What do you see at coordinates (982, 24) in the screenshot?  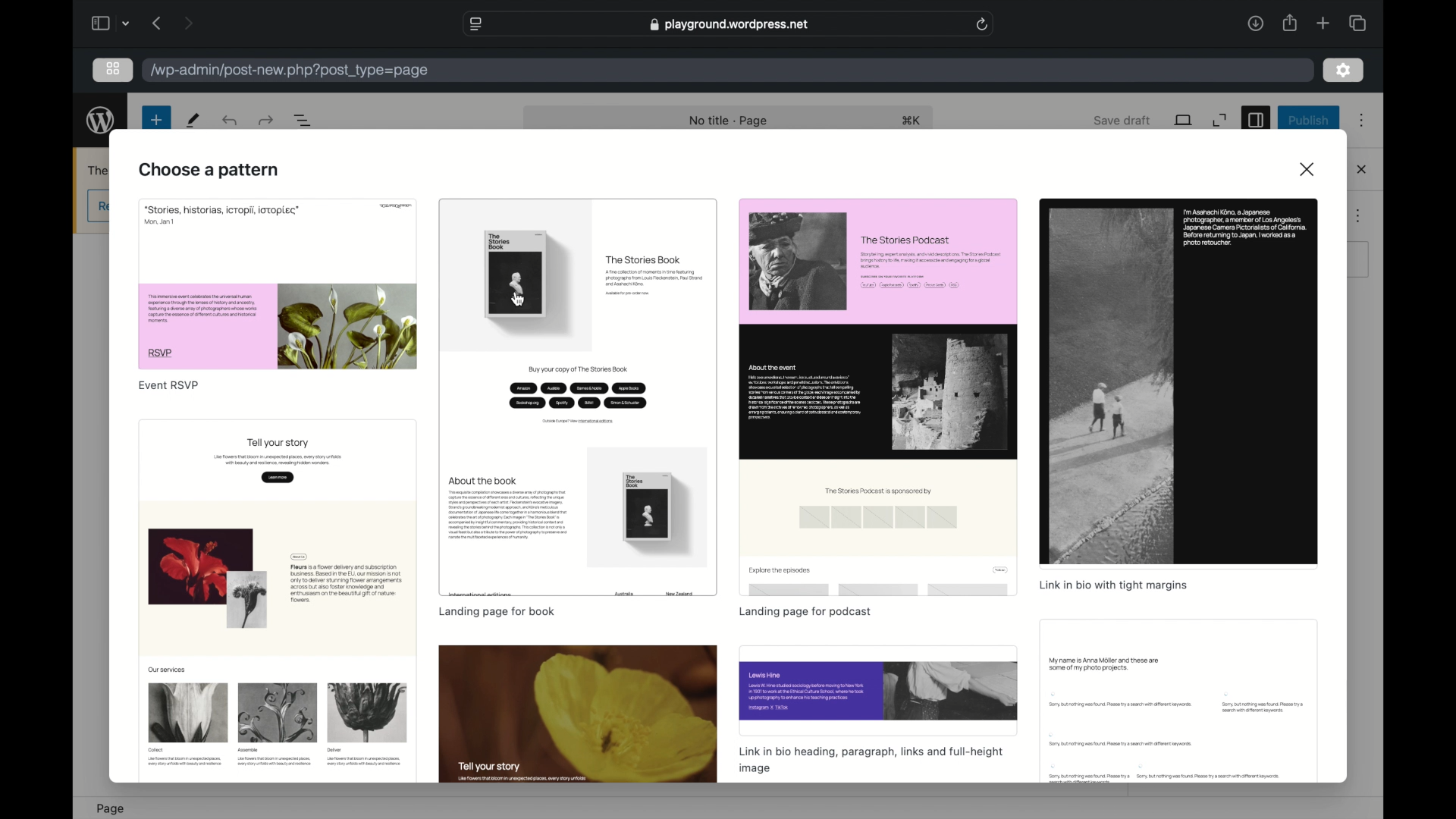 I see `refresh` at bounding box center [982, 24].